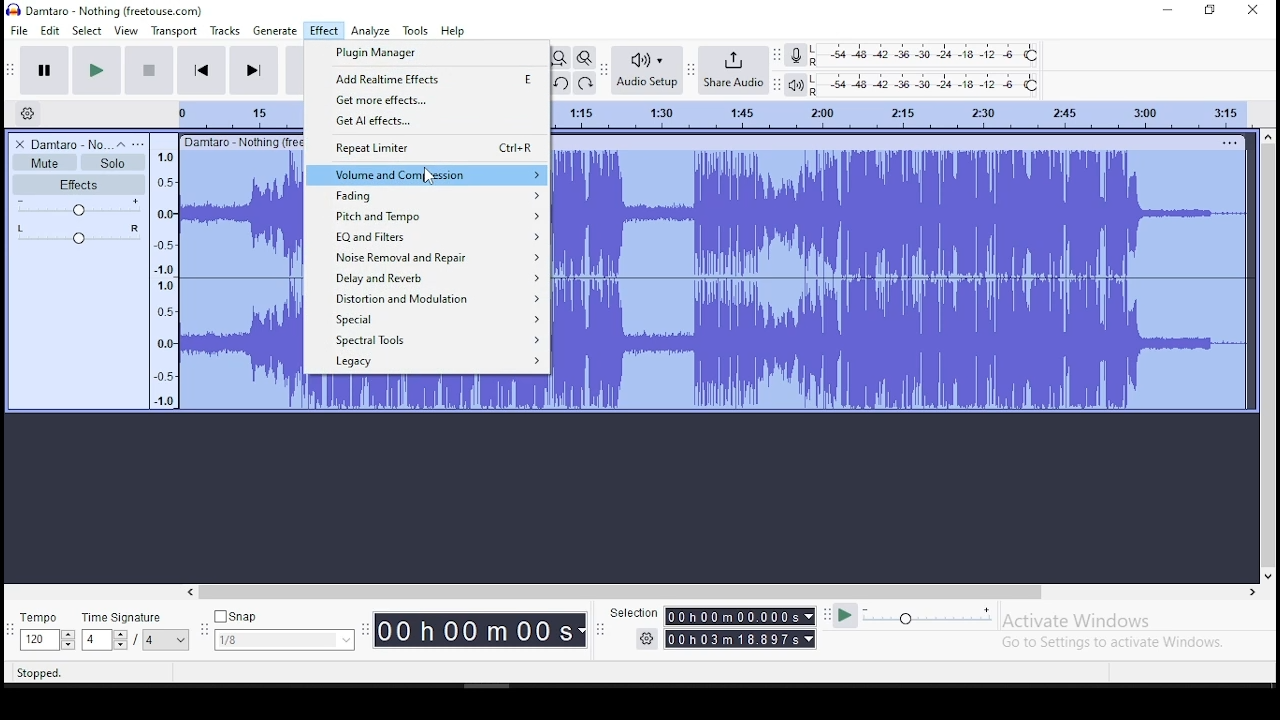  I want to click on snap, so click(283, 628).